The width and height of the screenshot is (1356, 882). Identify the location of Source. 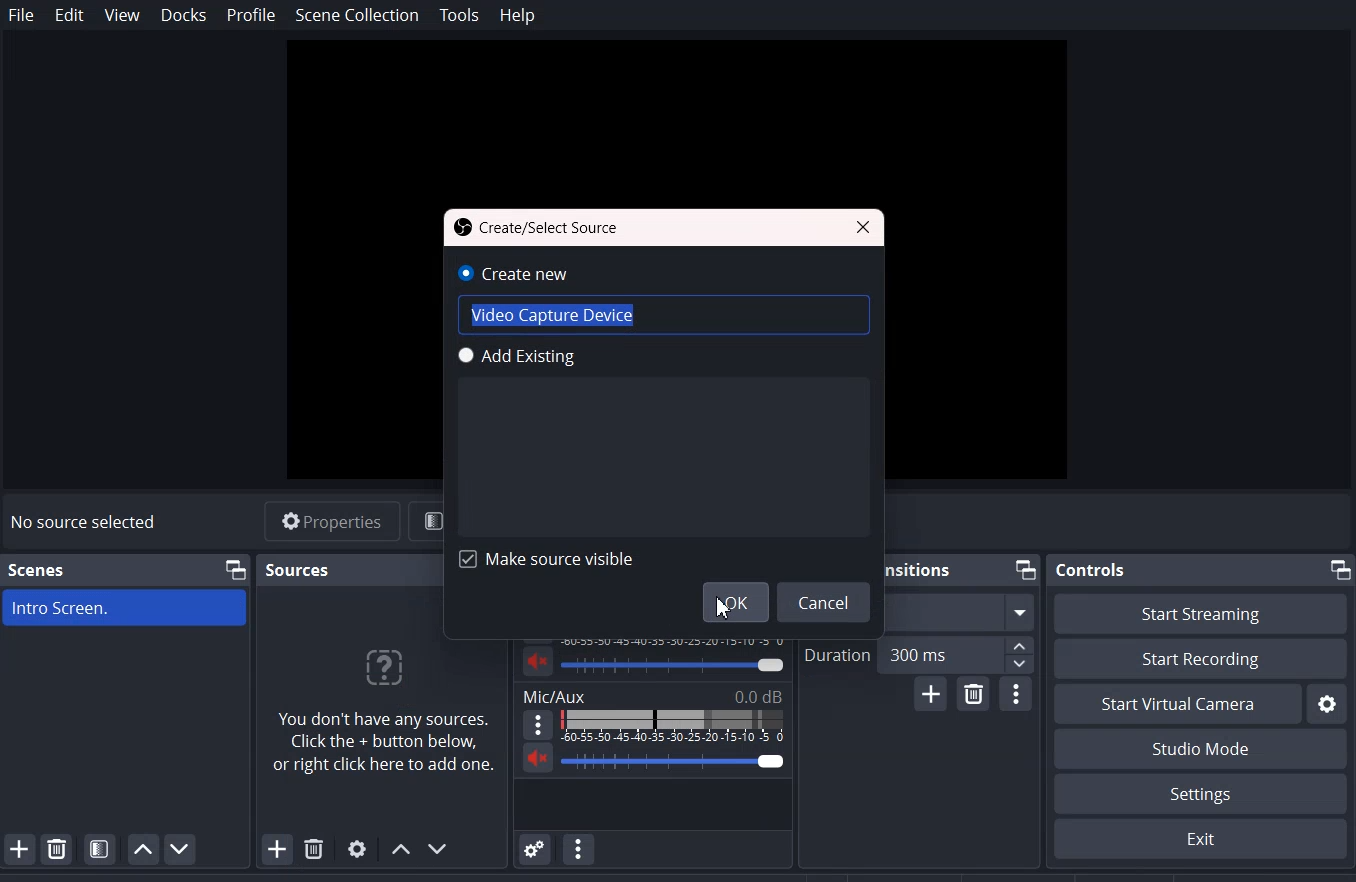
(298, 569).